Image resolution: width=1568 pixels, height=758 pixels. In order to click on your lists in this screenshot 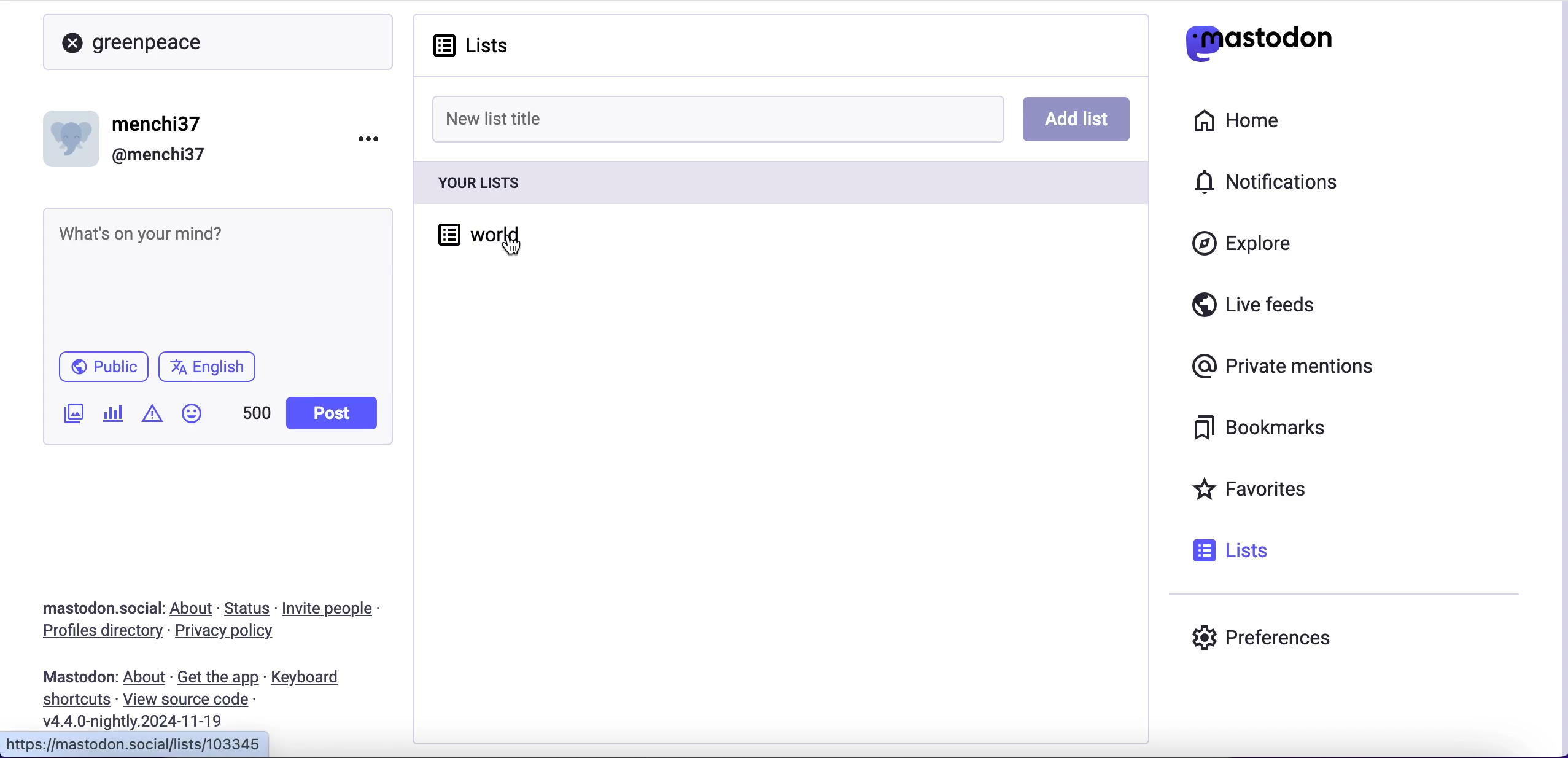, I will do `click(778, 181)`.